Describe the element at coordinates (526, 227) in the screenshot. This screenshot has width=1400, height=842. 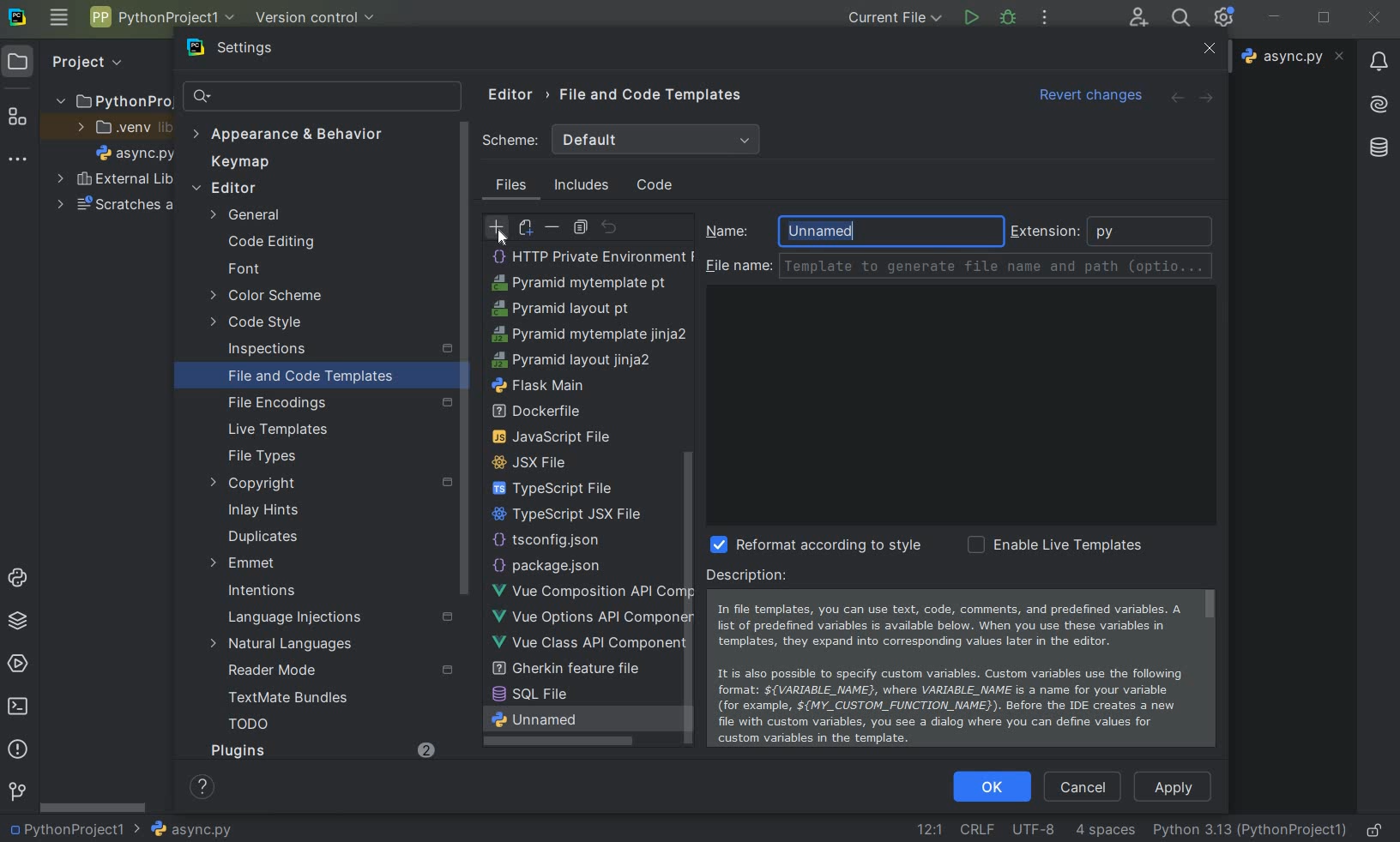
I see `create child template file` at that location.